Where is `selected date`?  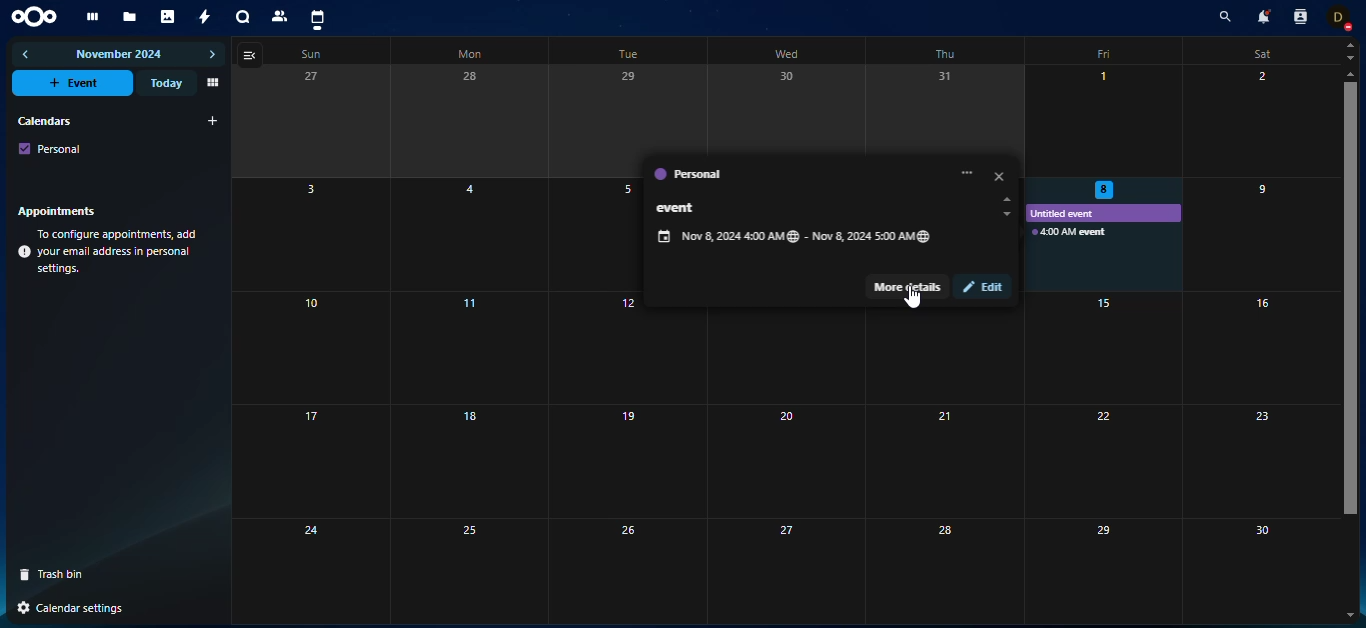 selected date is located at coordinates (1105, 188).